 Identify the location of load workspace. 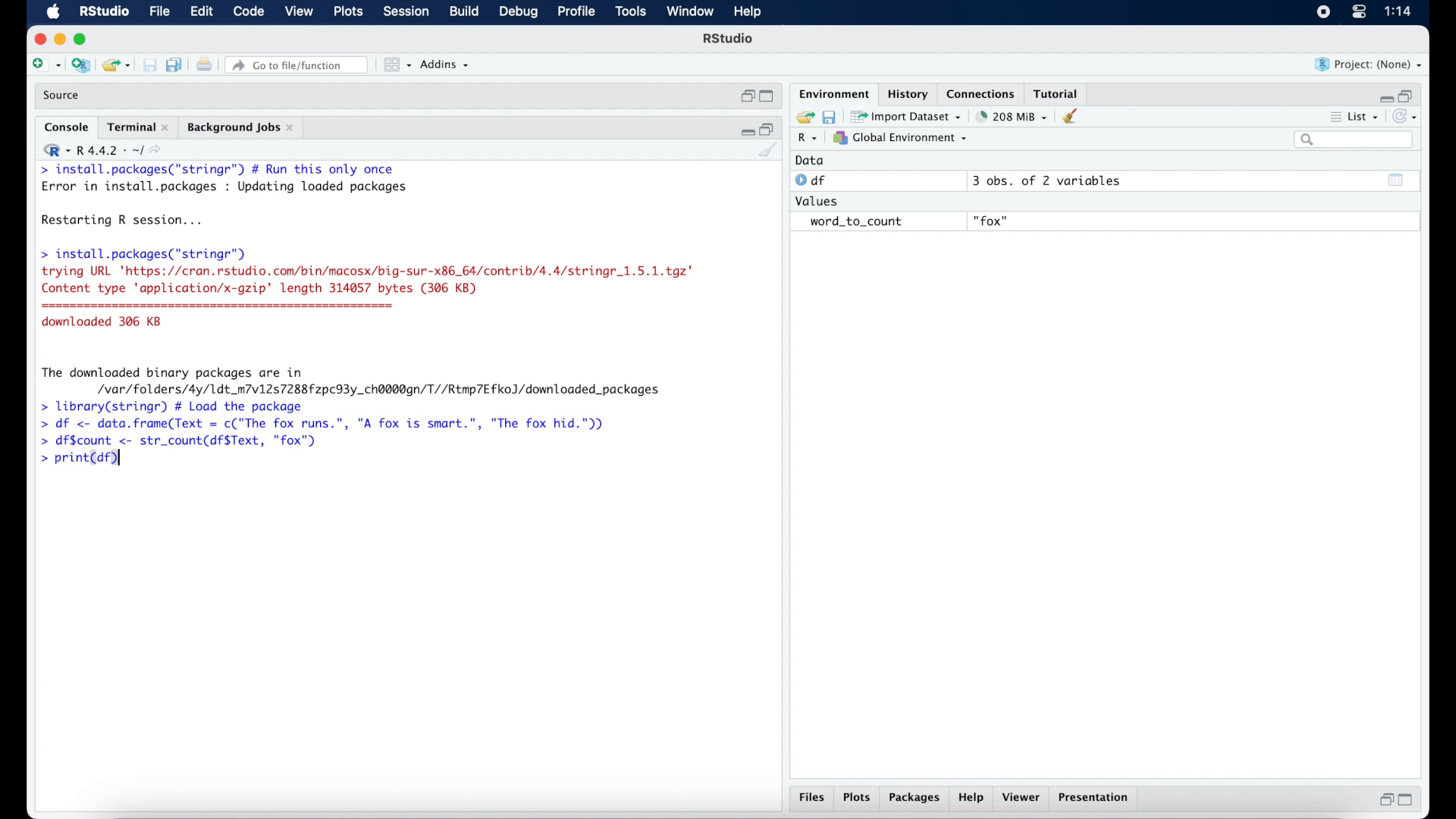
(802, 118).